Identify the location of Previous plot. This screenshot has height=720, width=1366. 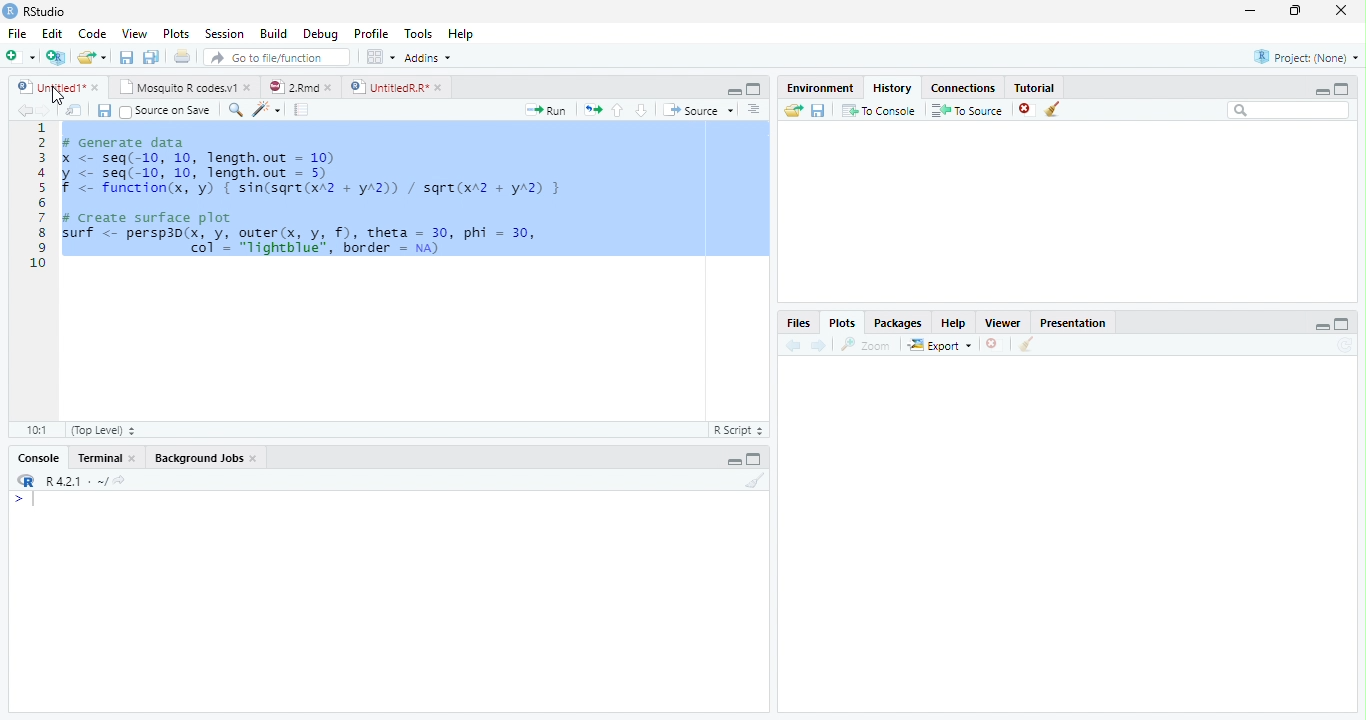
(793, 345).